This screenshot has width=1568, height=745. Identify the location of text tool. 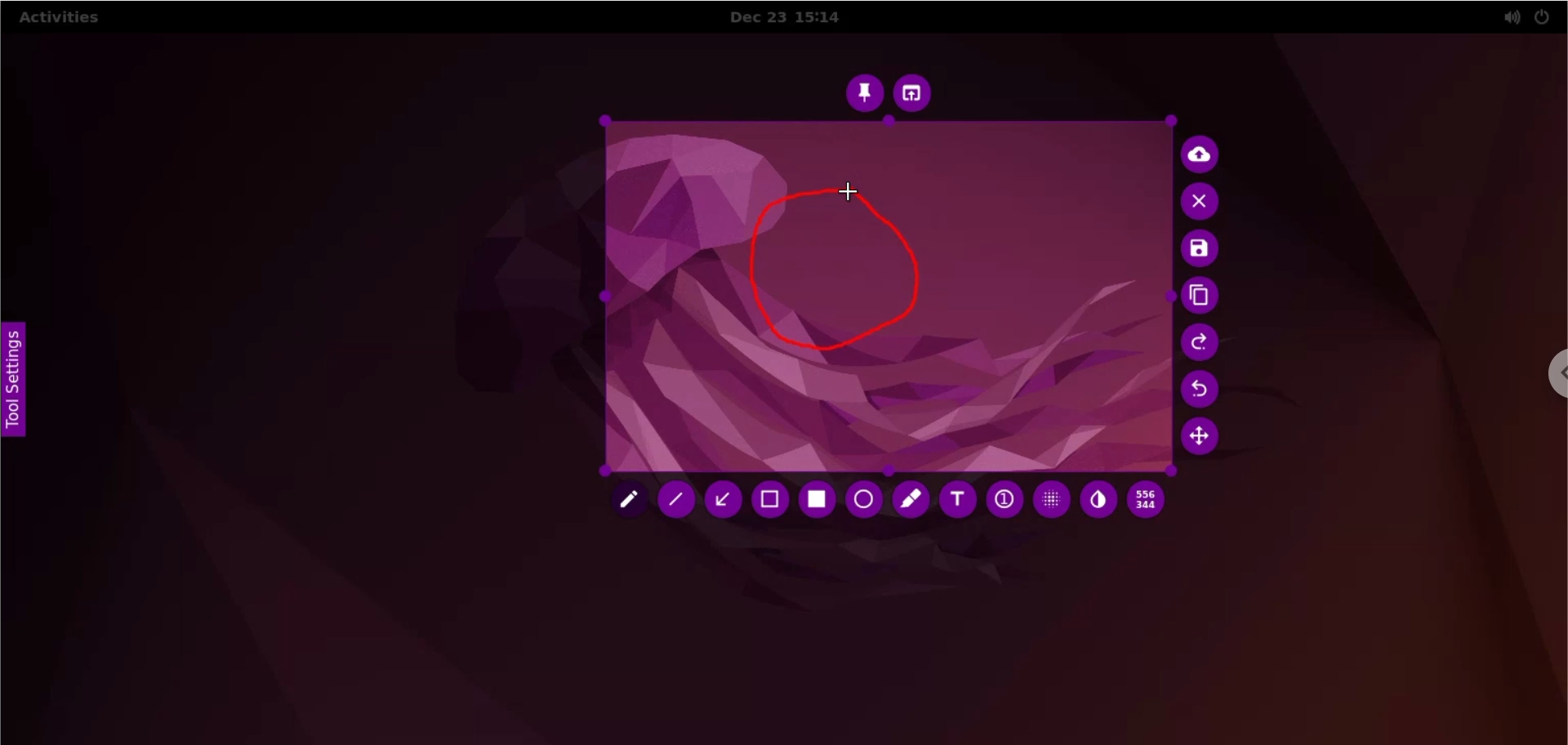
(959, 502).